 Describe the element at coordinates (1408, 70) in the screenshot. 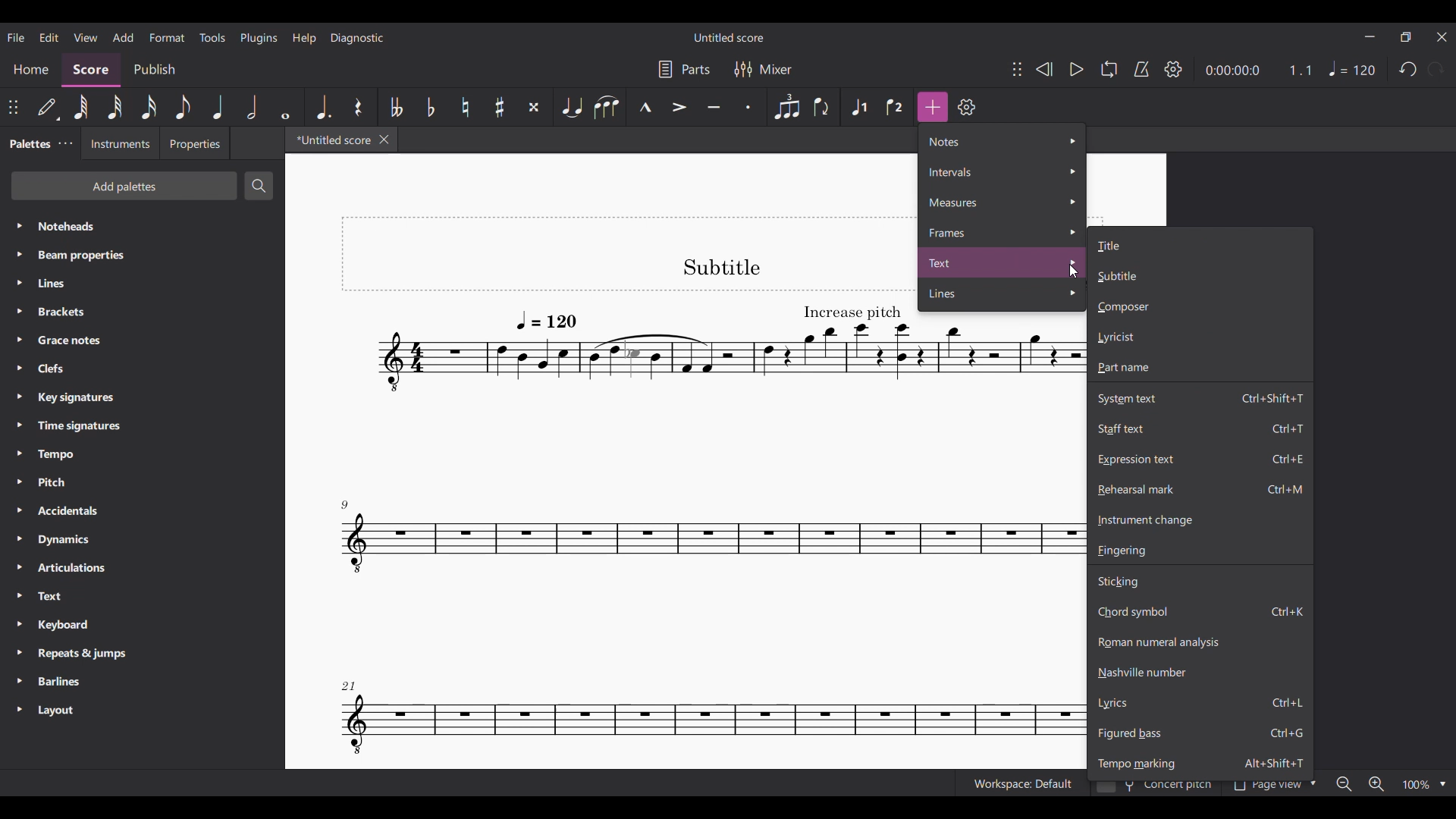

I see `Undo` at that location.